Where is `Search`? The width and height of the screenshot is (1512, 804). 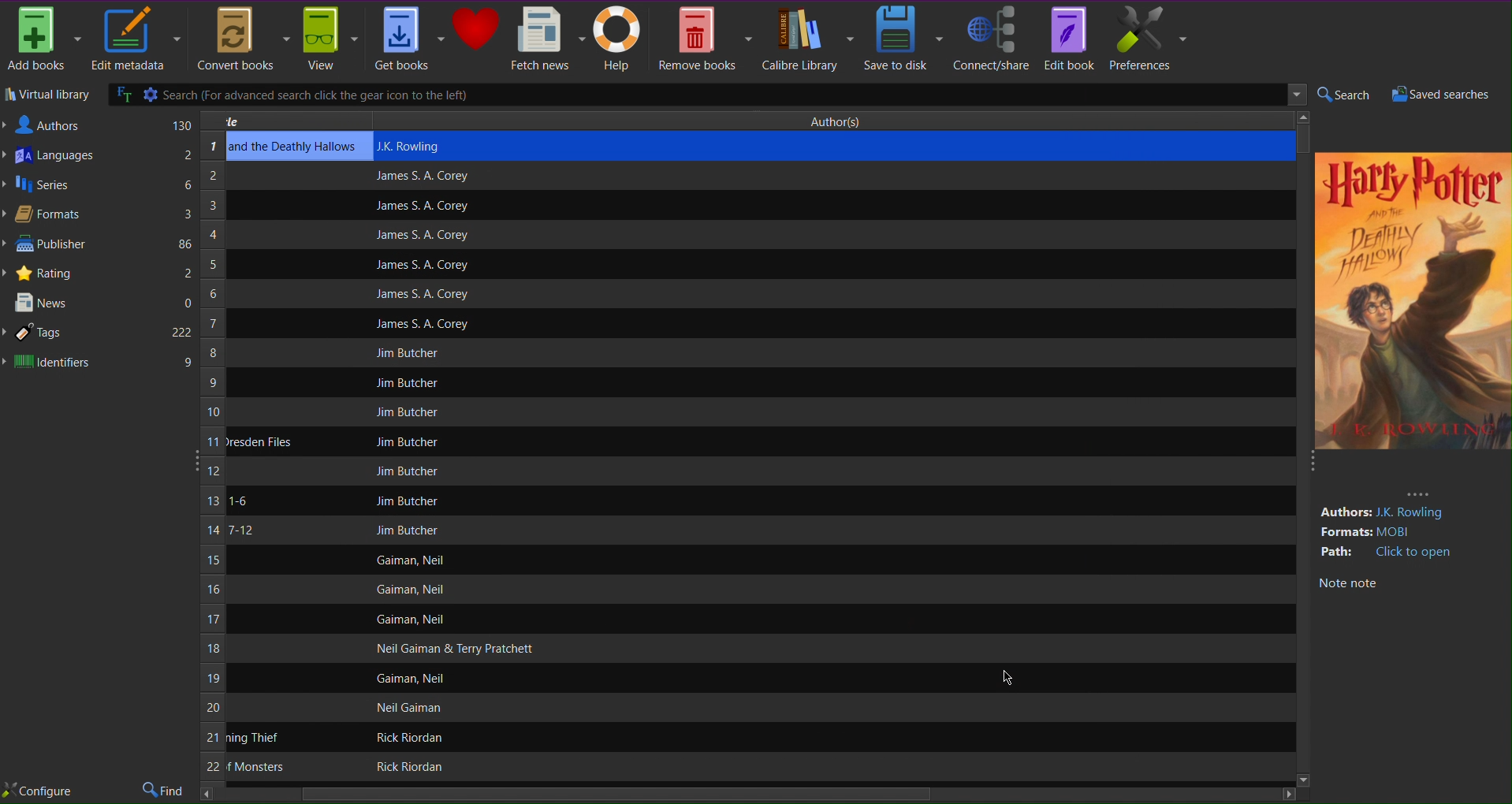 Search is located at coordinates (1343, 95).